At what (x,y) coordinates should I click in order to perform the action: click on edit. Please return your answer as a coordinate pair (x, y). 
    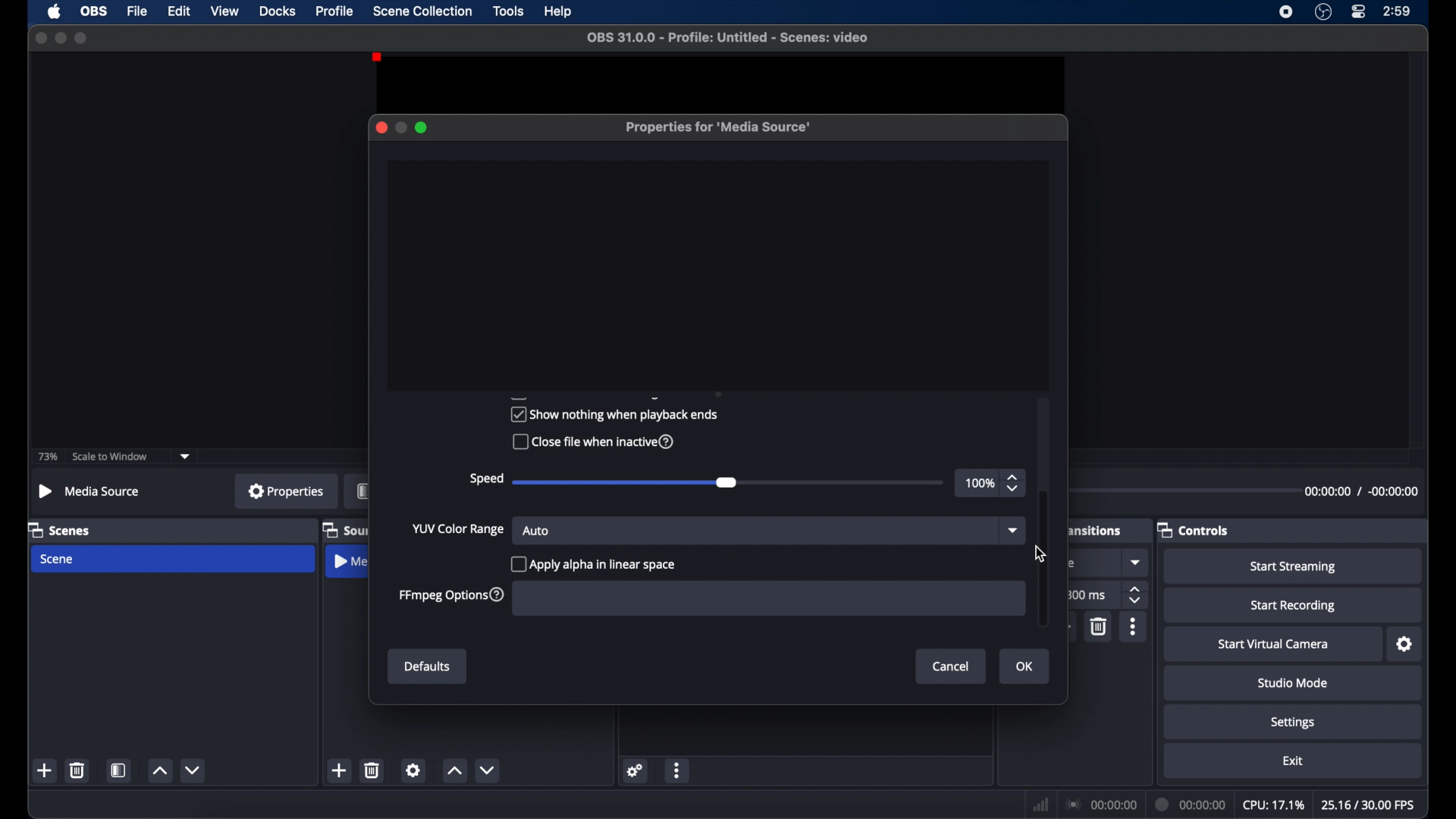
    Looking at the image, I should click on (179, 12).